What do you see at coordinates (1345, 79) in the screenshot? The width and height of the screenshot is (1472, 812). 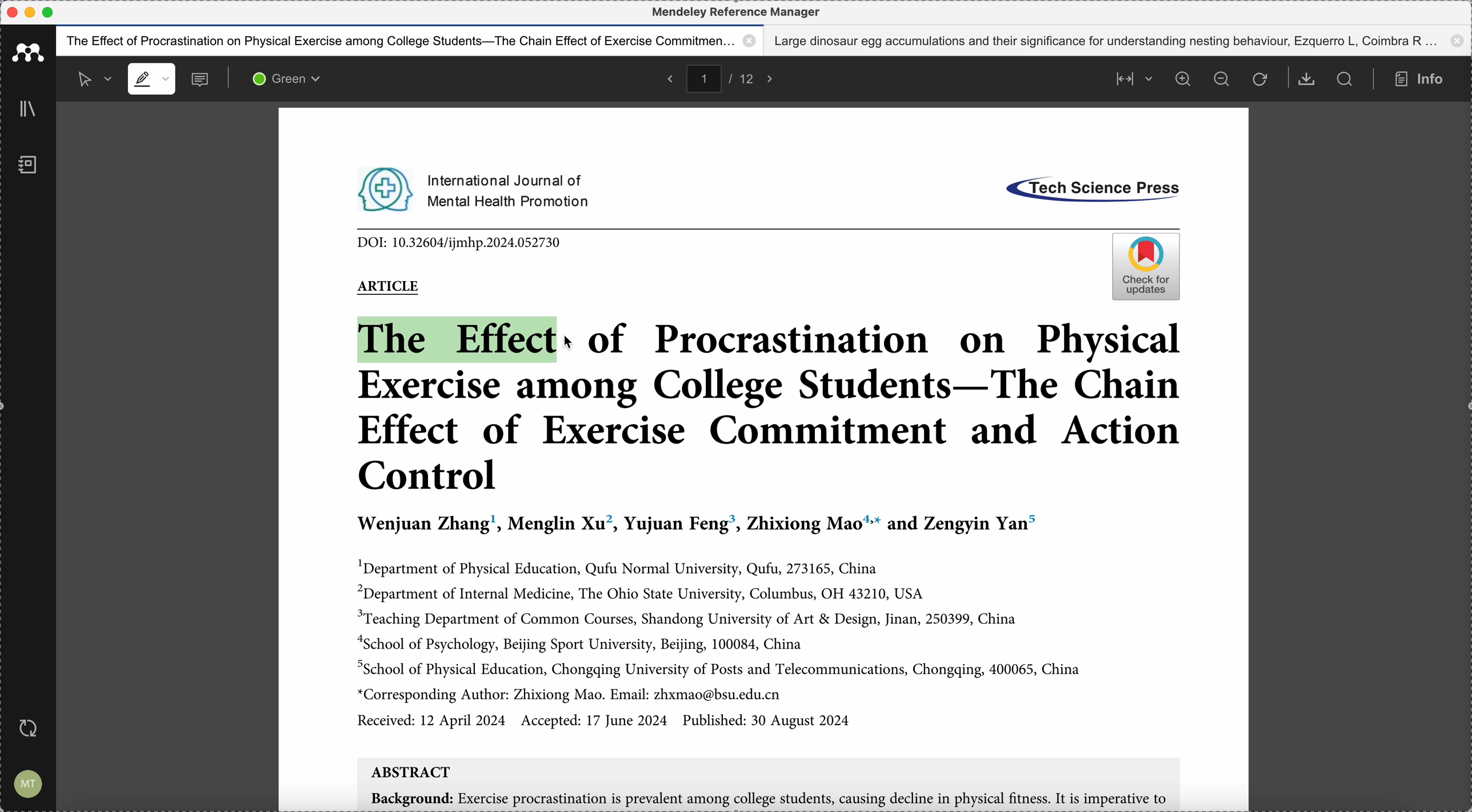 I see `search` at bounding box center [1345, 79].